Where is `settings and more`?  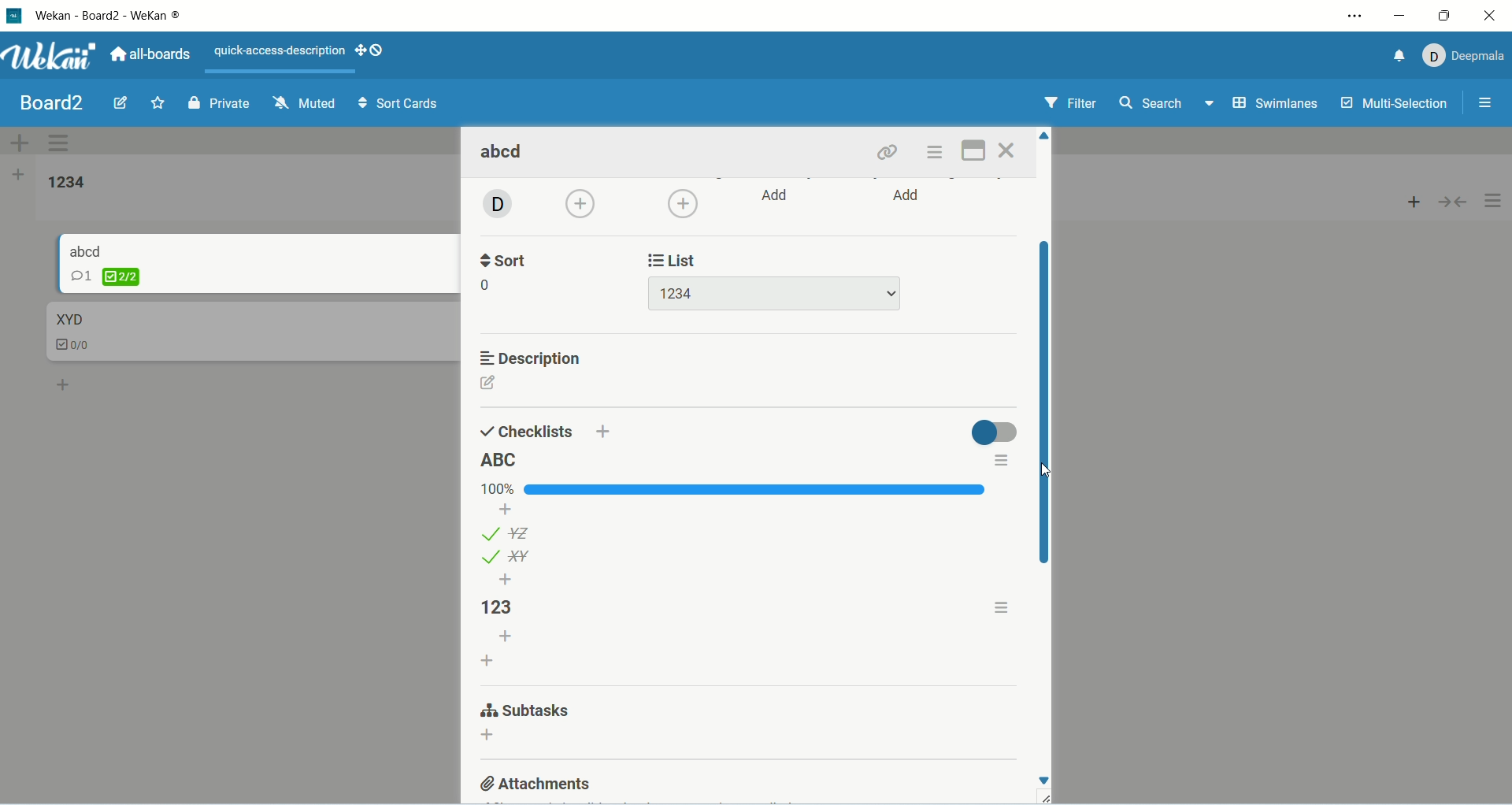 settings and more is located at coordinates (1354, 17).